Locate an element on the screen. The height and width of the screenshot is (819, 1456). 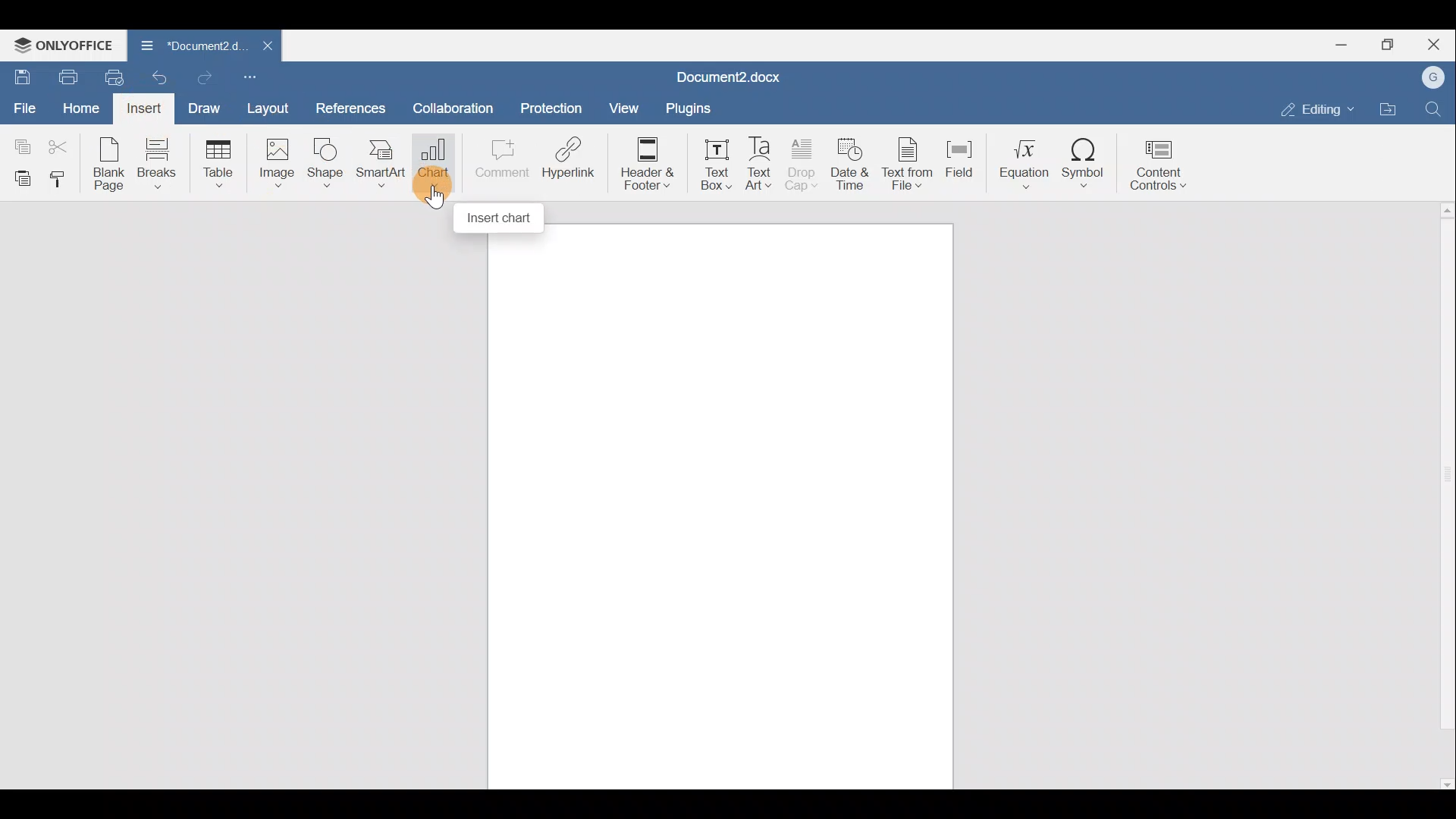
Maximize is located at coordinates (1394, 43).